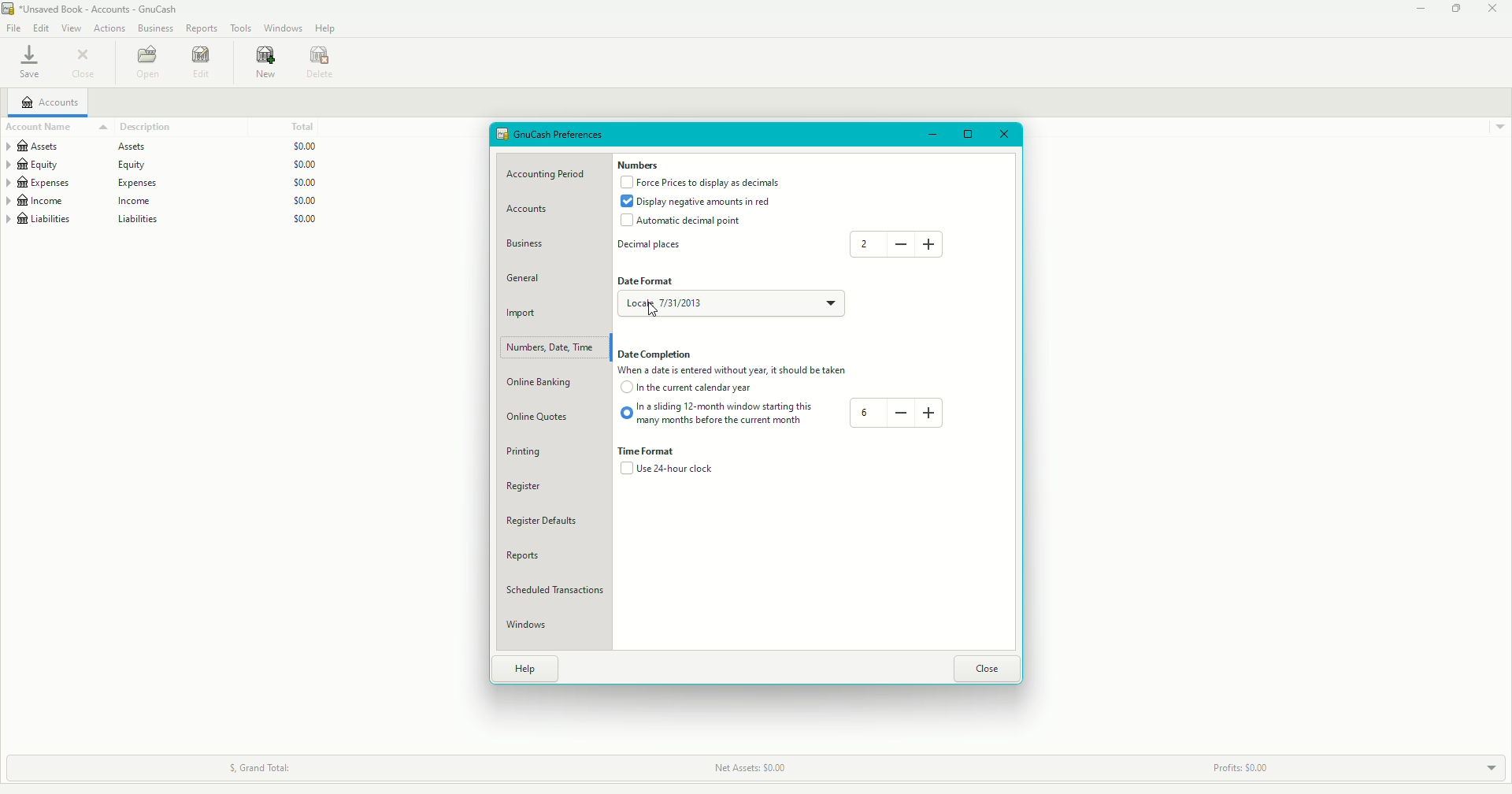 This screenshot has width=1512, height=794. I want to click on GnuCash Properties, so click(559, 135).